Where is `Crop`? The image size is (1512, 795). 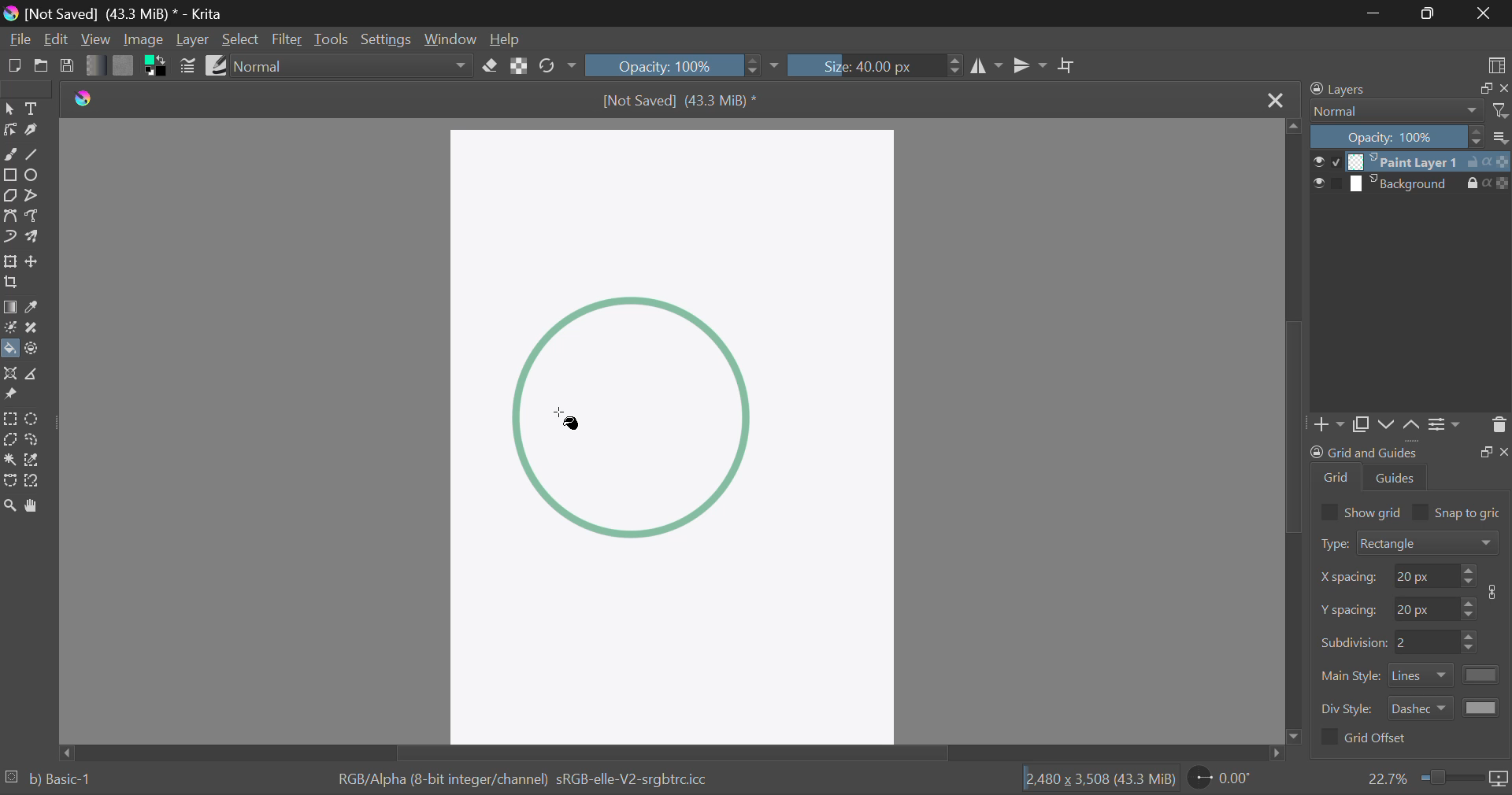
Crop is located at coordinates (1068, 66).